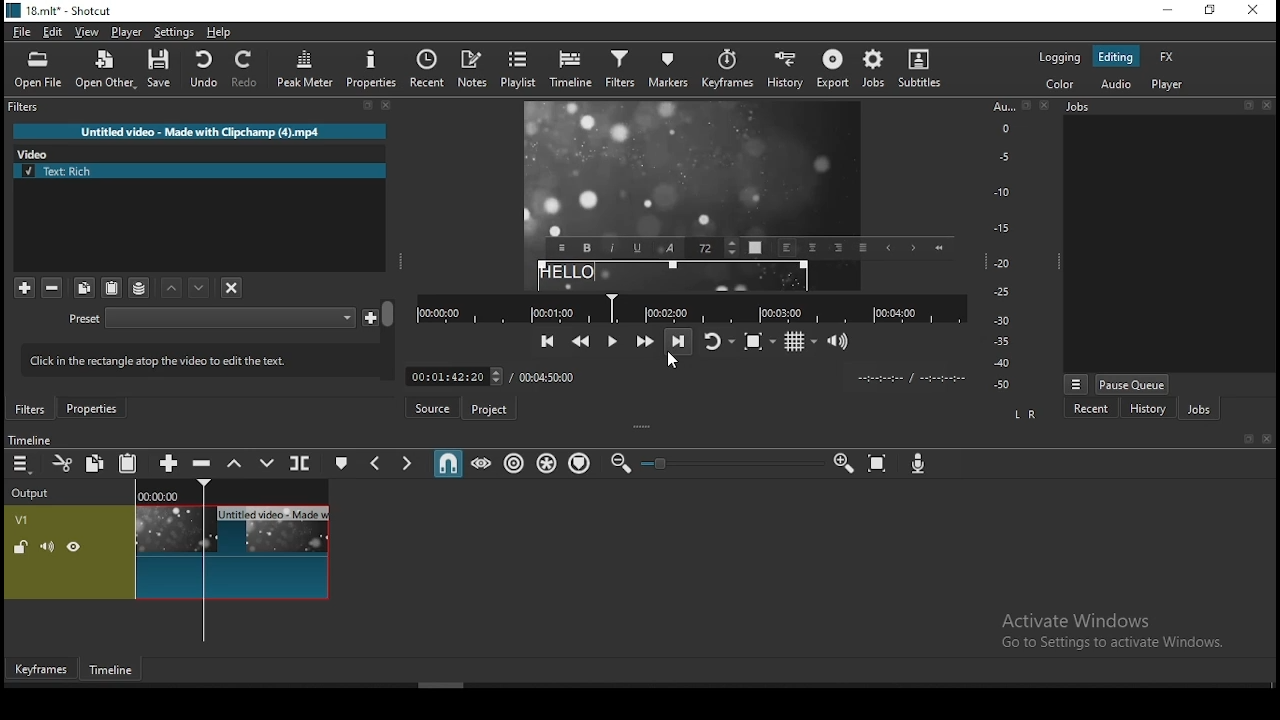  Describe the element at coordinates (714, 248) in the screenshot. I see `Font Size` at that location.